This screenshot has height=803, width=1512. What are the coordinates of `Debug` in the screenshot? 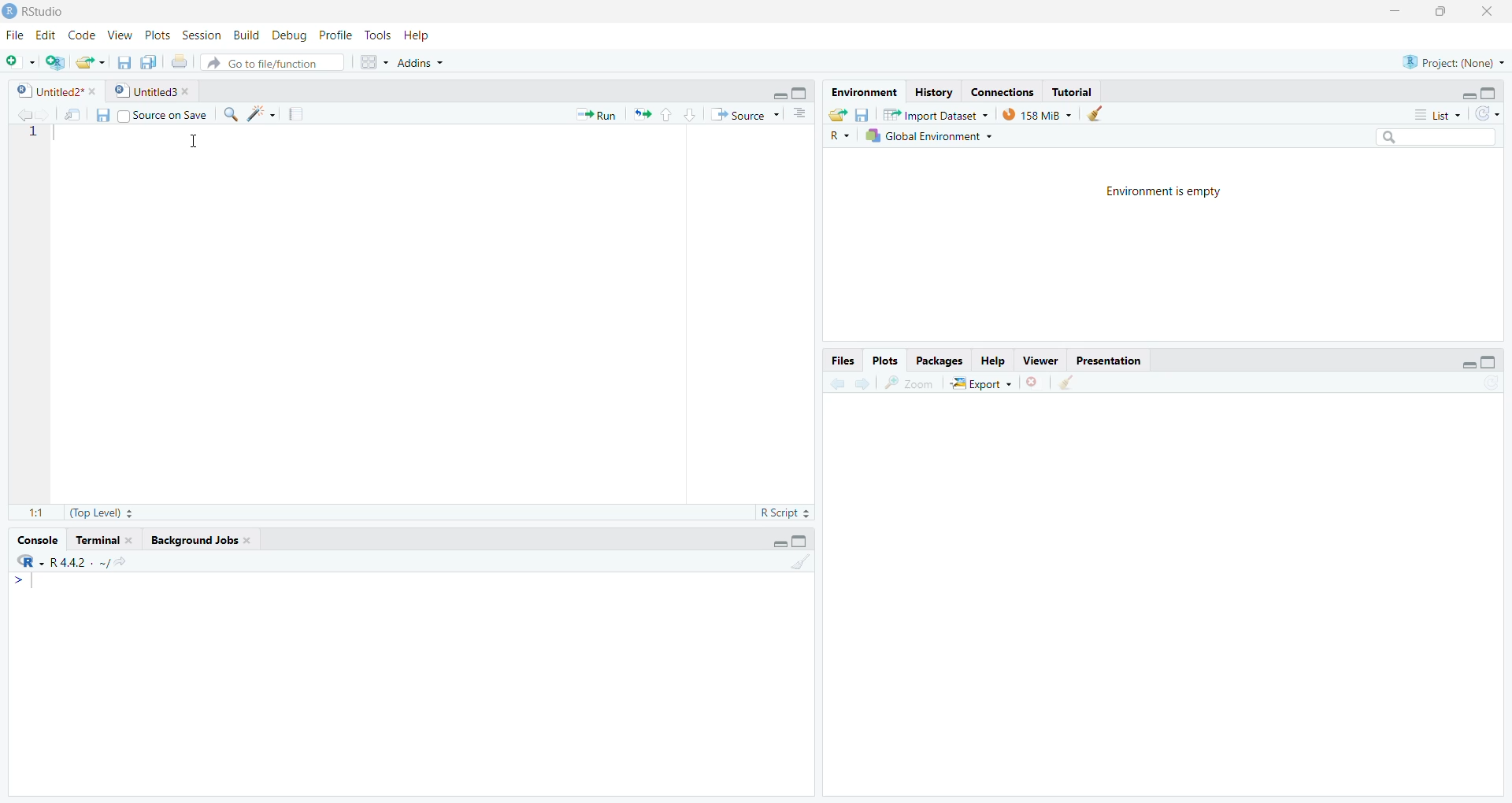 It's located at (286, 35).